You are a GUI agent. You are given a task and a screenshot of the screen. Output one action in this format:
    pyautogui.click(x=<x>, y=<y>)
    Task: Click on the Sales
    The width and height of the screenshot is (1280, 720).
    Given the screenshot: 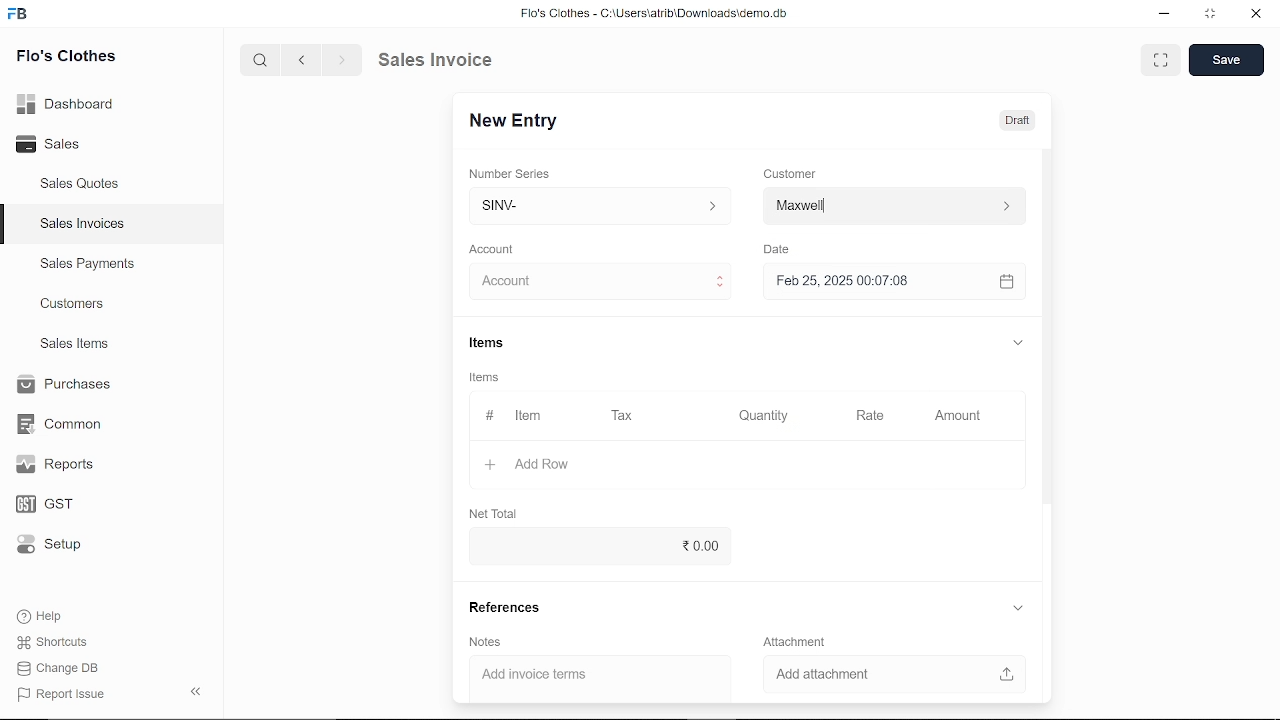 What is the action you would take?
    pyautogui.click(x=57, y=142)
    